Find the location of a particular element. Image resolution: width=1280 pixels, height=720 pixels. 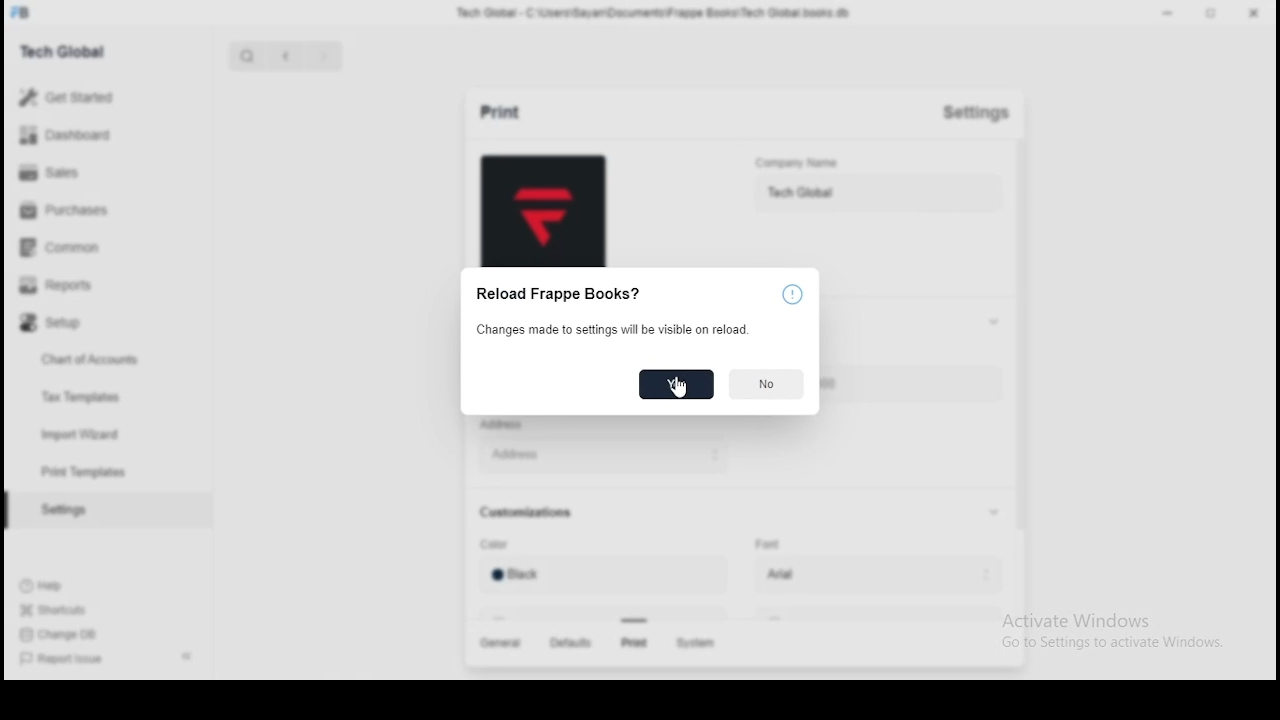

Customizations. is located at coordinates (536, 515).